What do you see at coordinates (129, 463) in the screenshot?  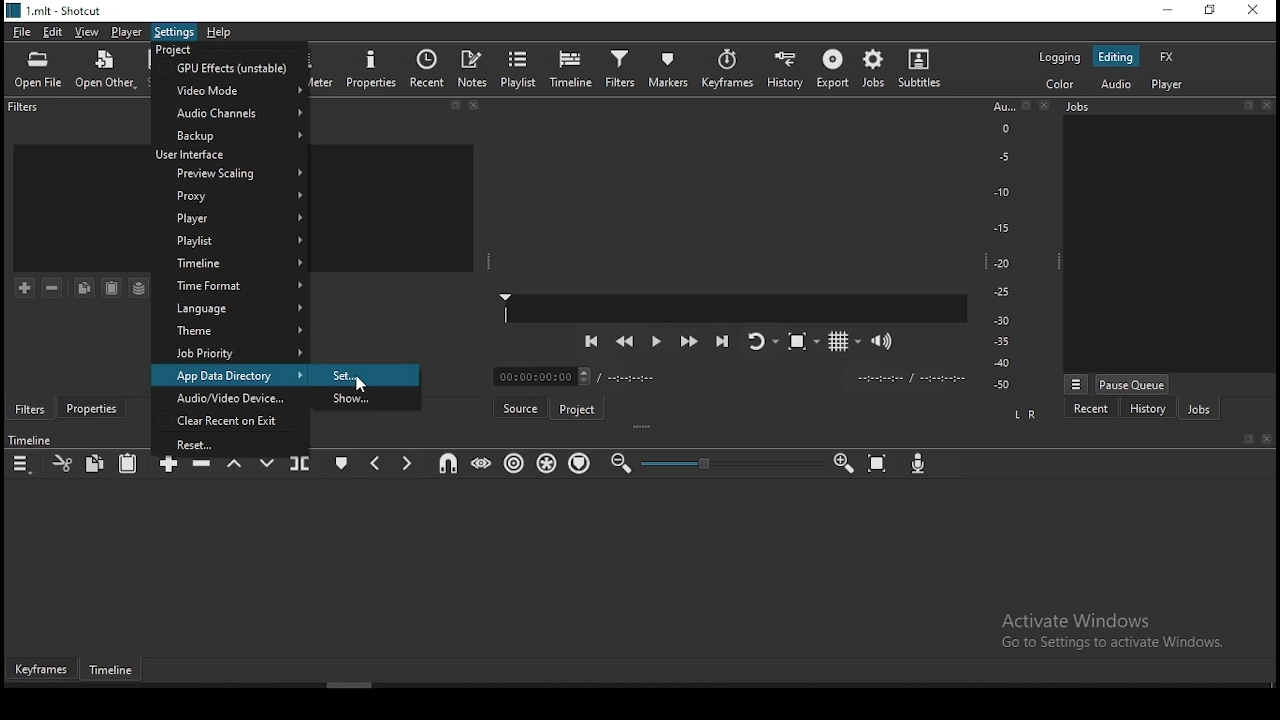 I see `paste` at bounding box center [129, 463].